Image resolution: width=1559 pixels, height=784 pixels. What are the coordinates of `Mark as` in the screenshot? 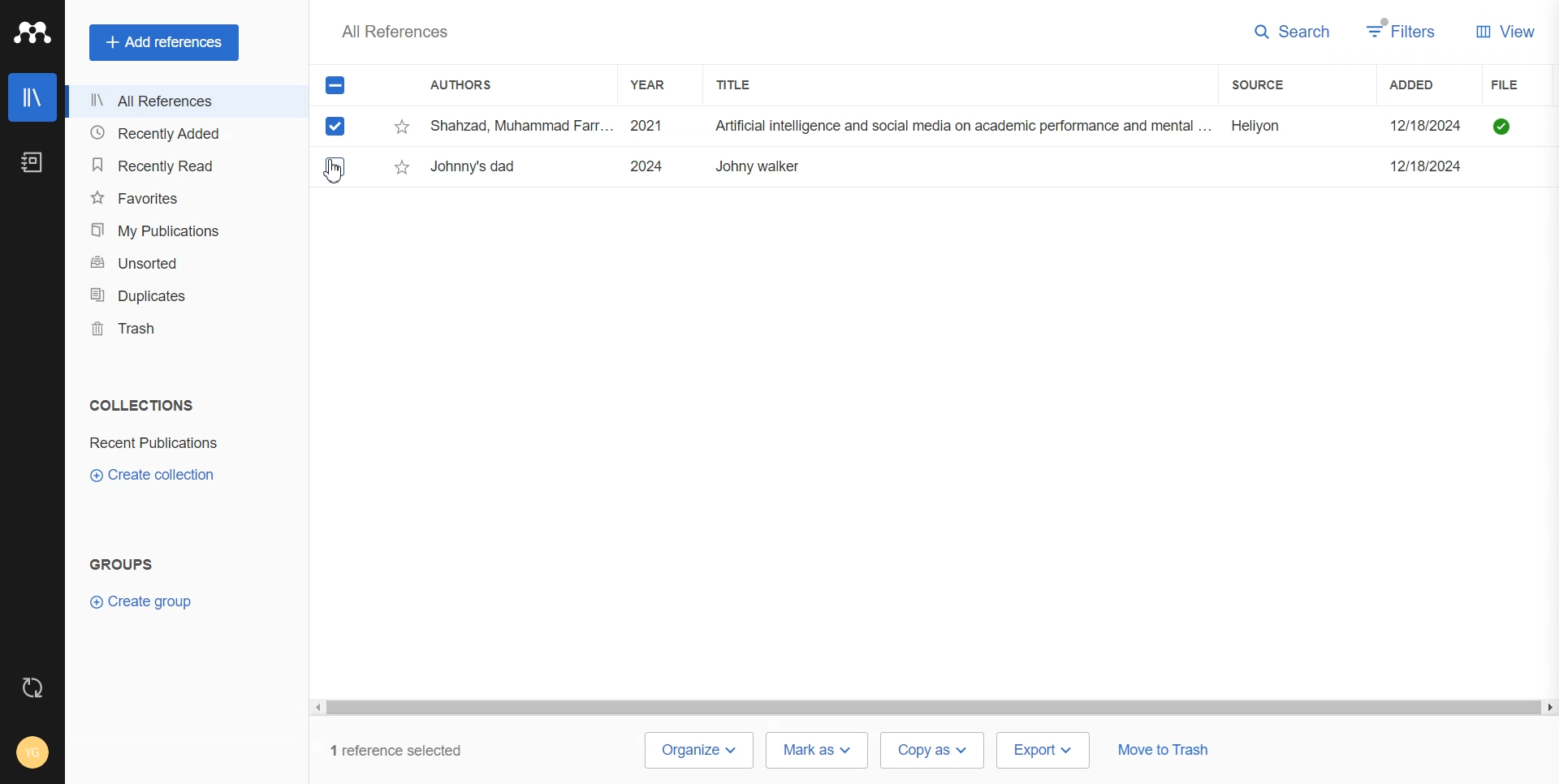 It's located at (817, 749).